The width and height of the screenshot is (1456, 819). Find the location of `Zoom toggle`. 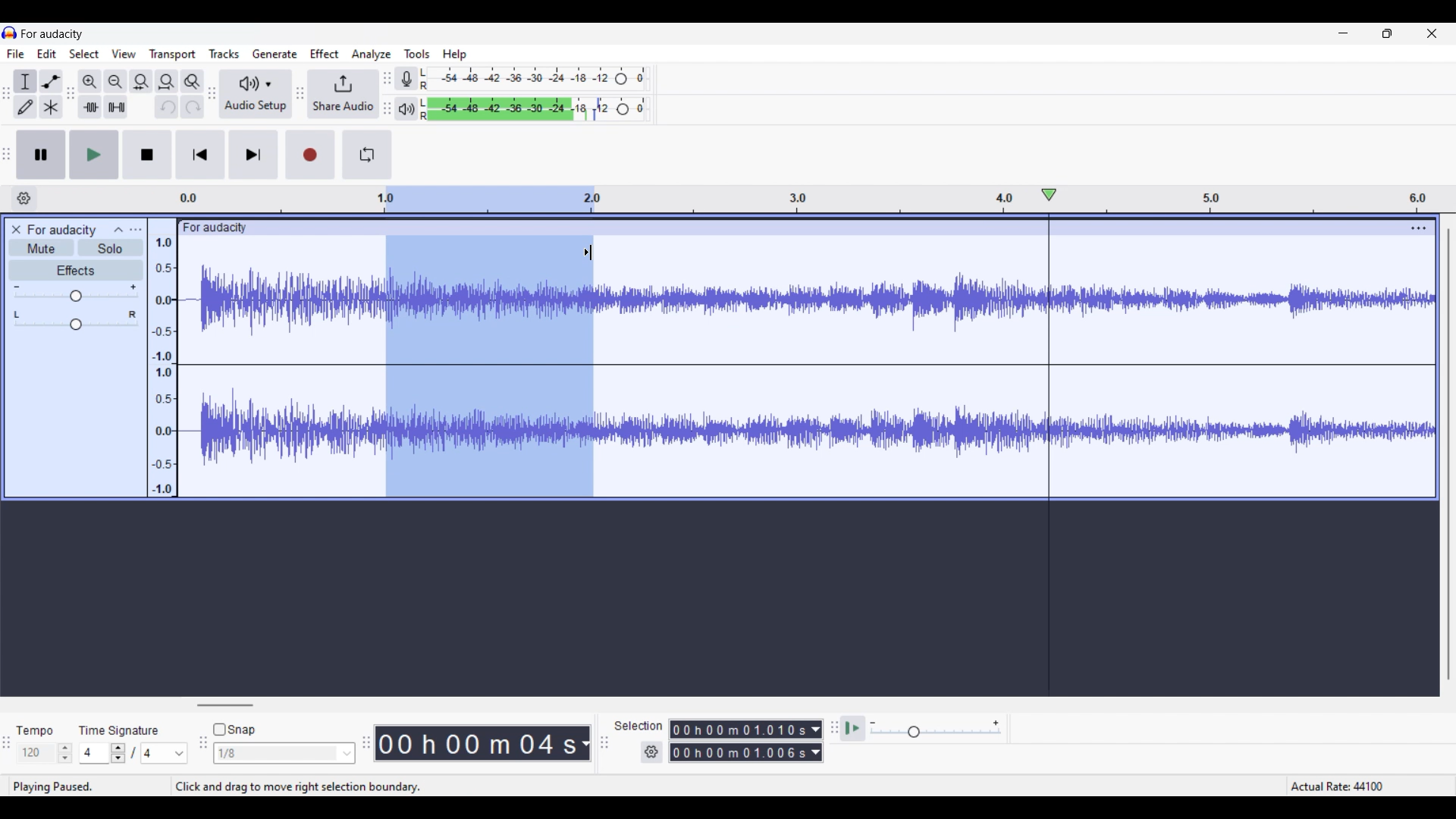

Zoom toggle is located at coordinates (193, 82).